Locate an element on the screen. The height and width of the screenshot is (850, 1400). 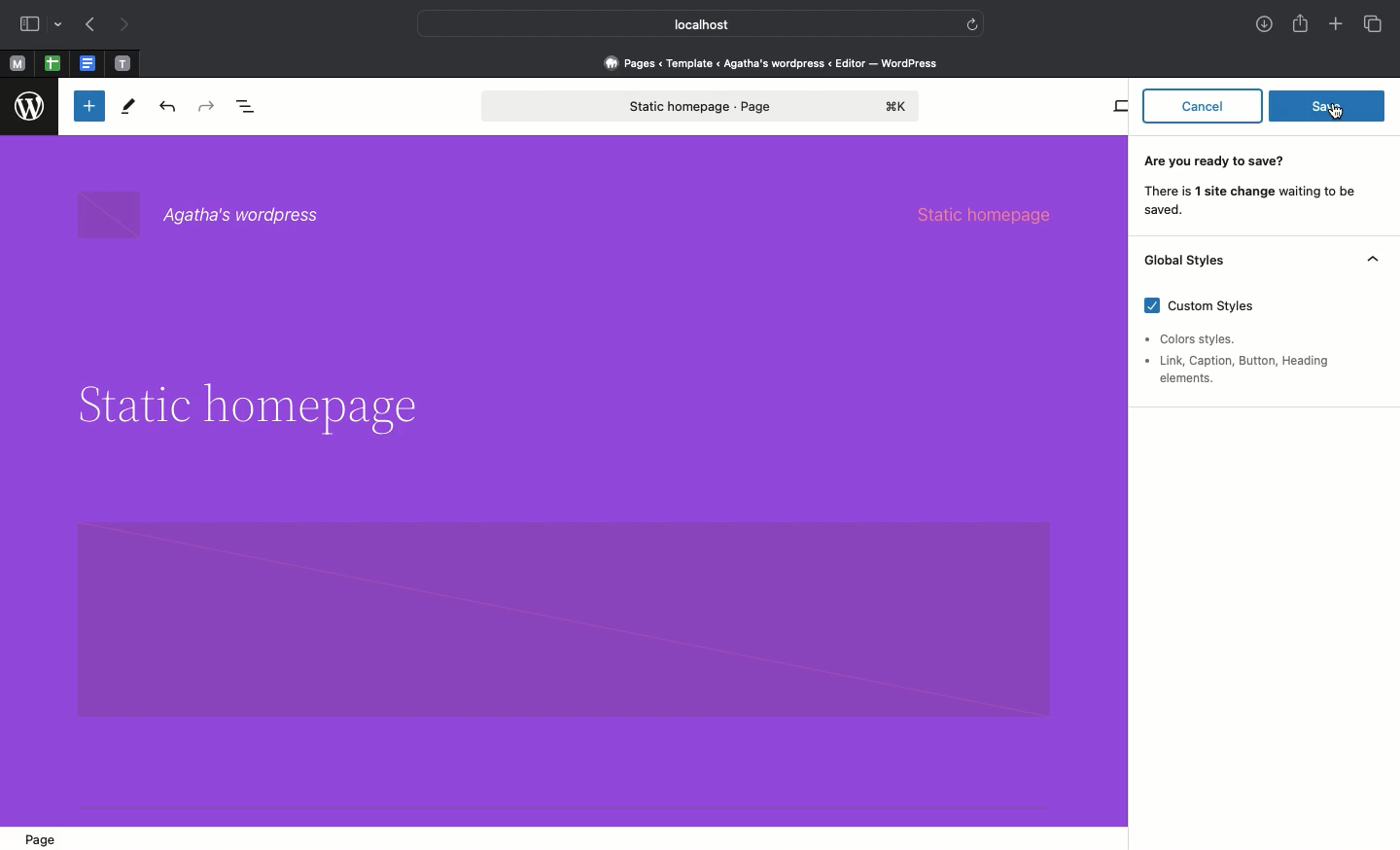
Sidebar is located at coordinates (29, 24).